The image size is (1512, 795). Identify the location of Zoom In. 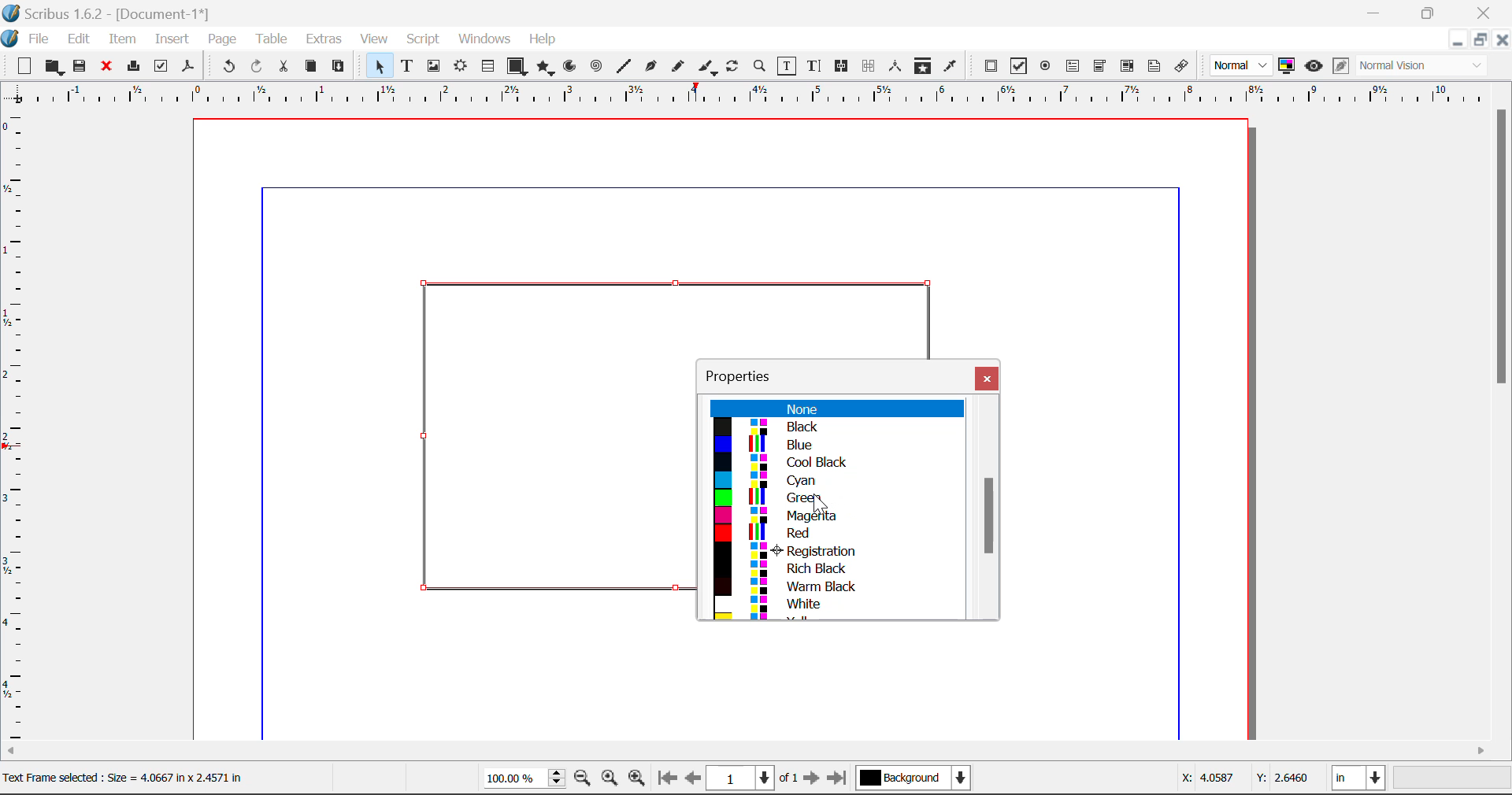
(637, 780).